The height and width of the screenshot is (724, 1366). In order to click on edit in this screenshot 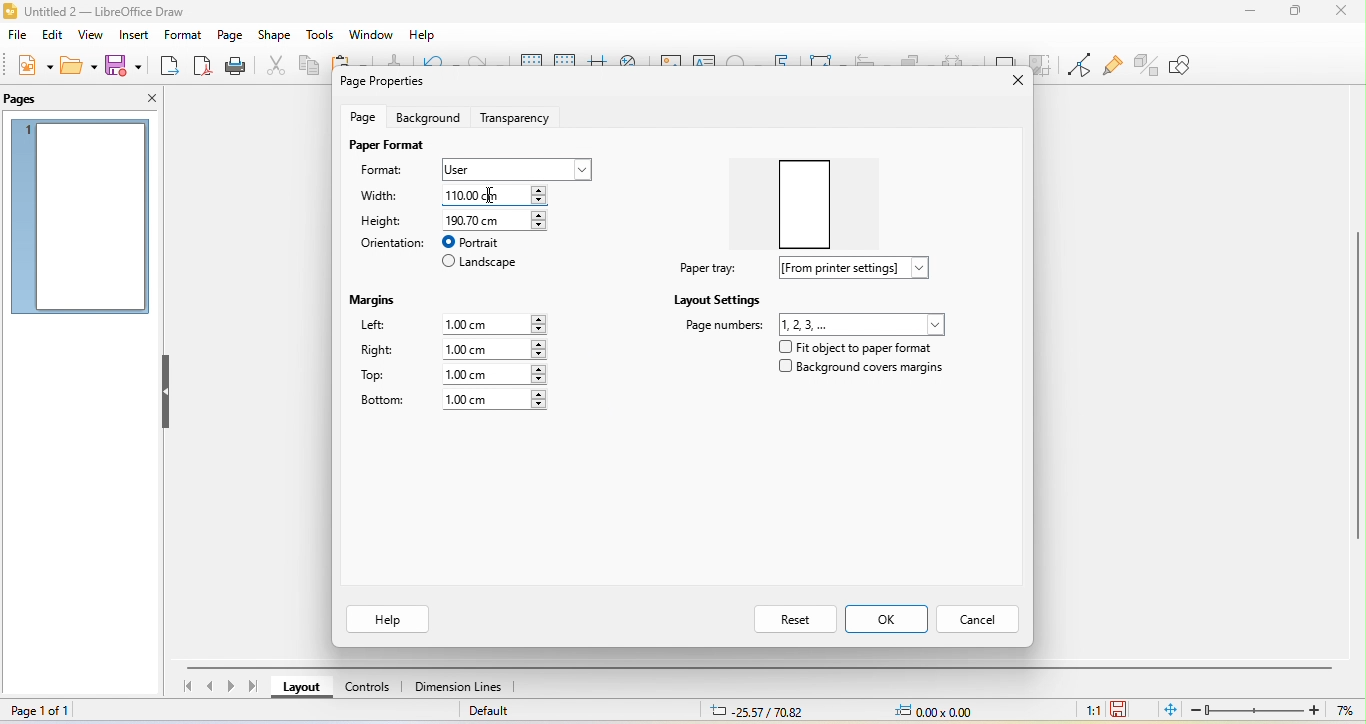, I will do `click(55, 35)`.